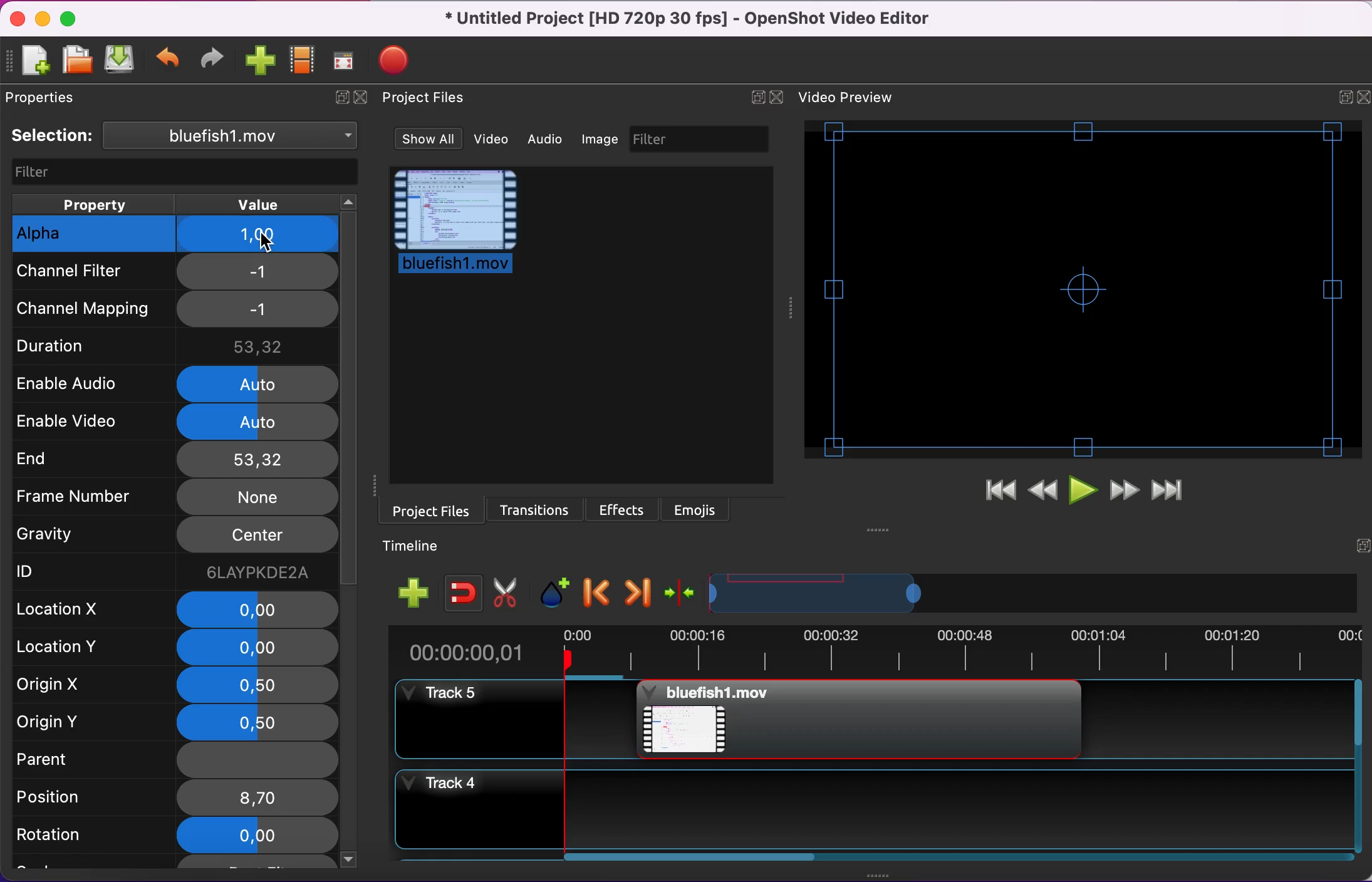 Image resolution: width=1372 pixels, height=882 pixels. What do you see at coordinates (256, 685) in the screenshot?
I see `0,5` at bounding box center [256, 685].